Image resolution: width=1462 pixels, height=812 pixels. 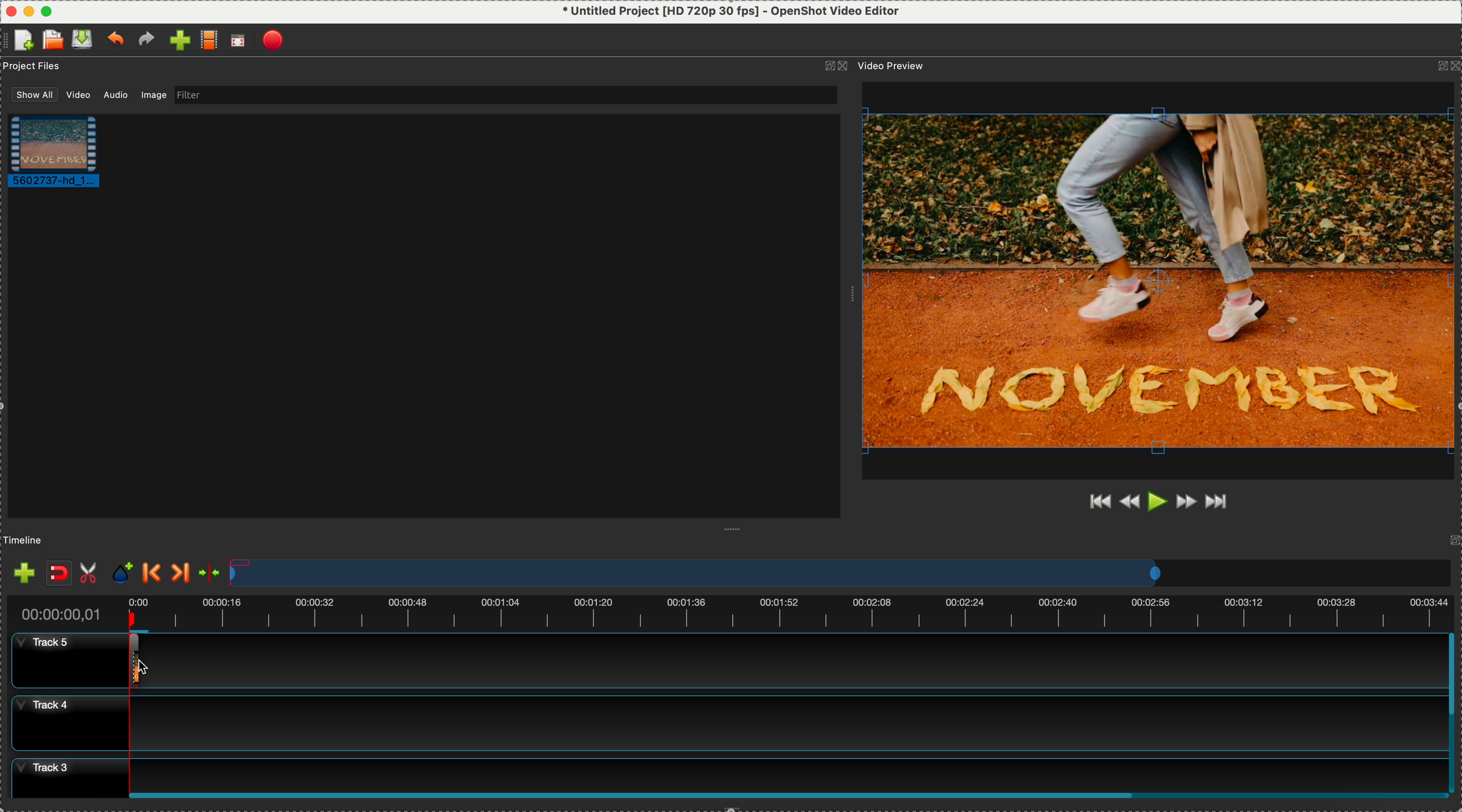 What do you see at coordinates (835, 66) in the screenshot?
I see `icons` at bounding box center [835, 66].